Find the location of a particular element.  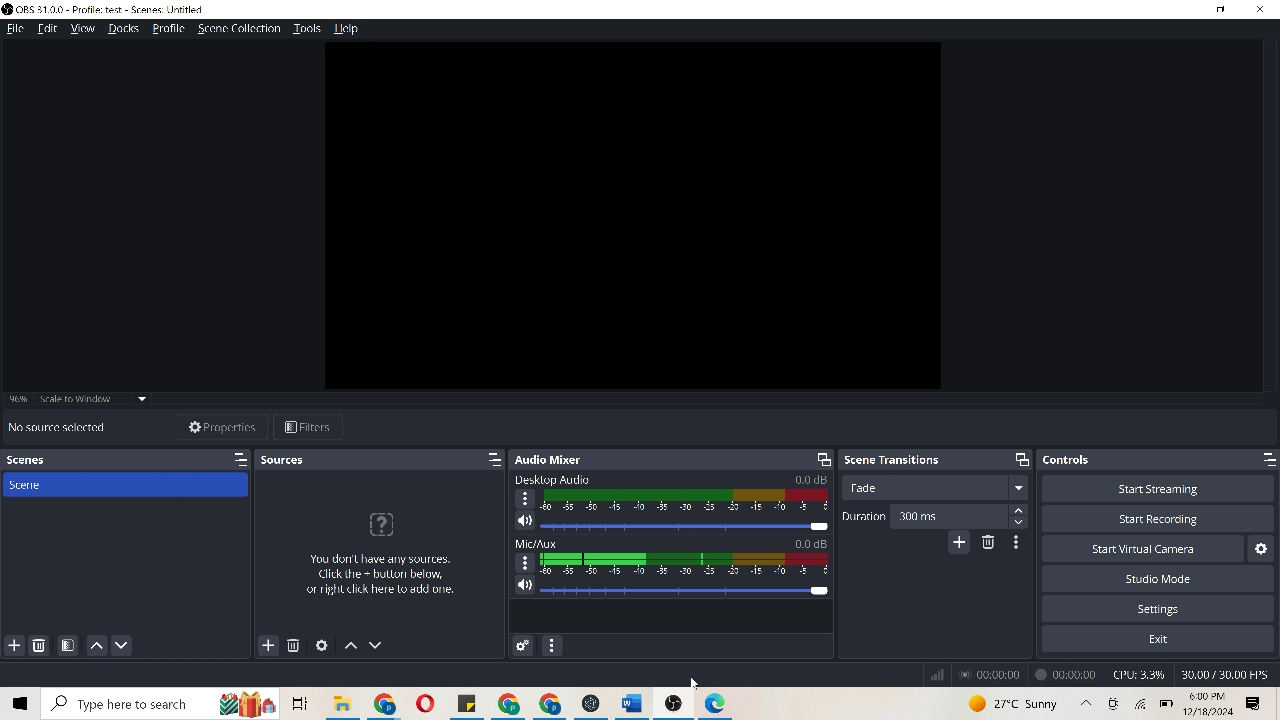

sources is located at coordinates (288, 463).